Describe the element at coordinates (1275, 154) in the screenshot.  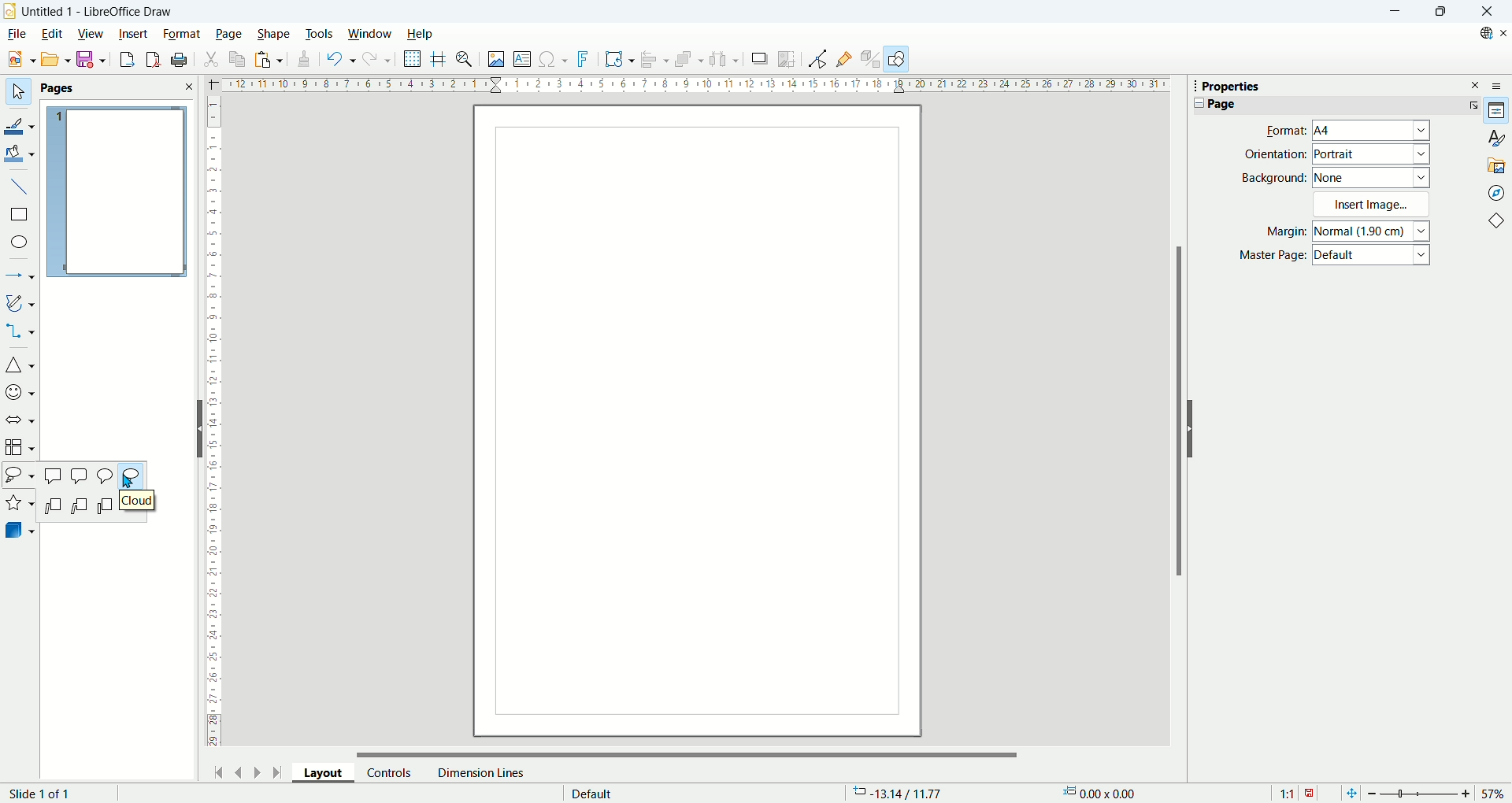
I see `Orientaion` at that location.